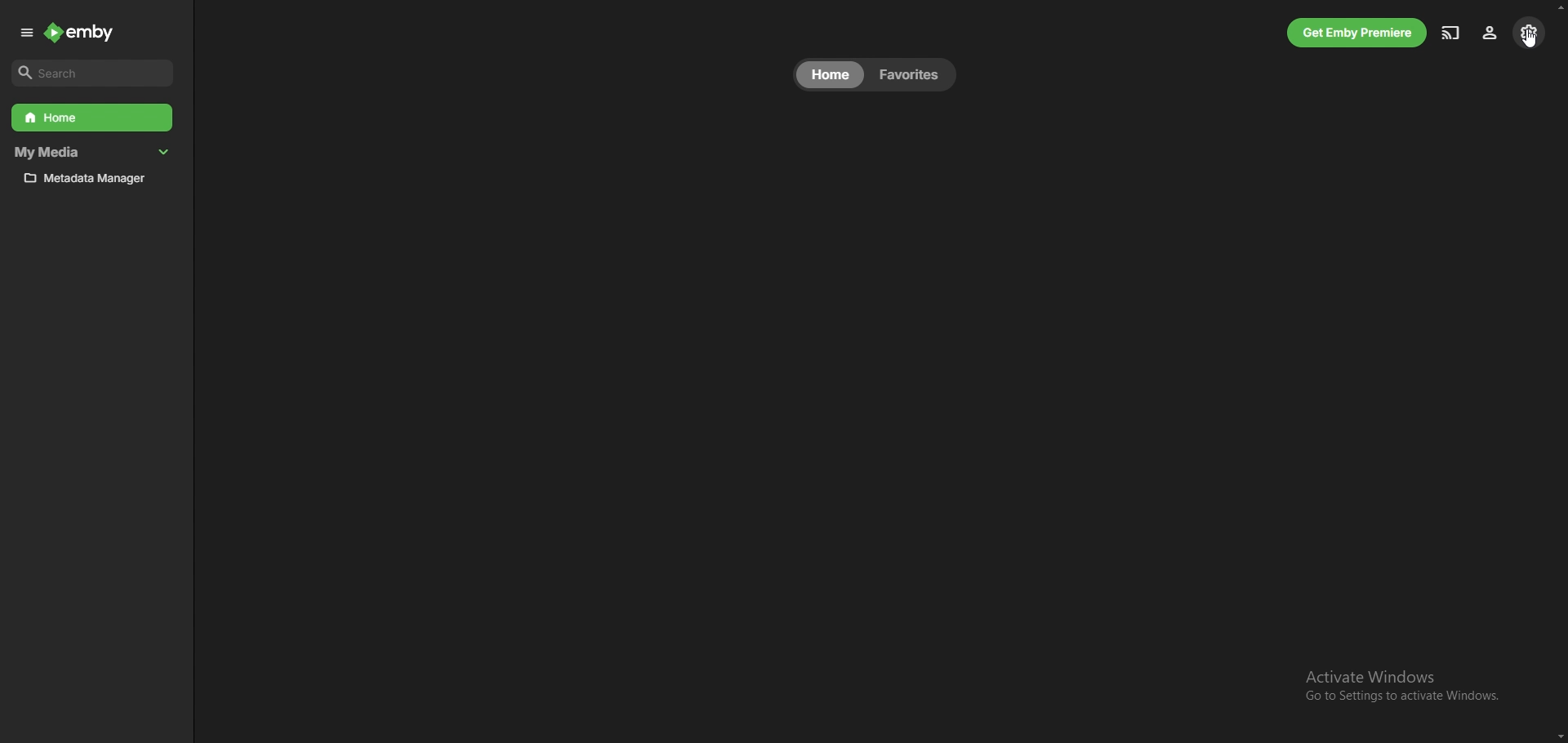  I want to click on profile, so click(1492, 32).